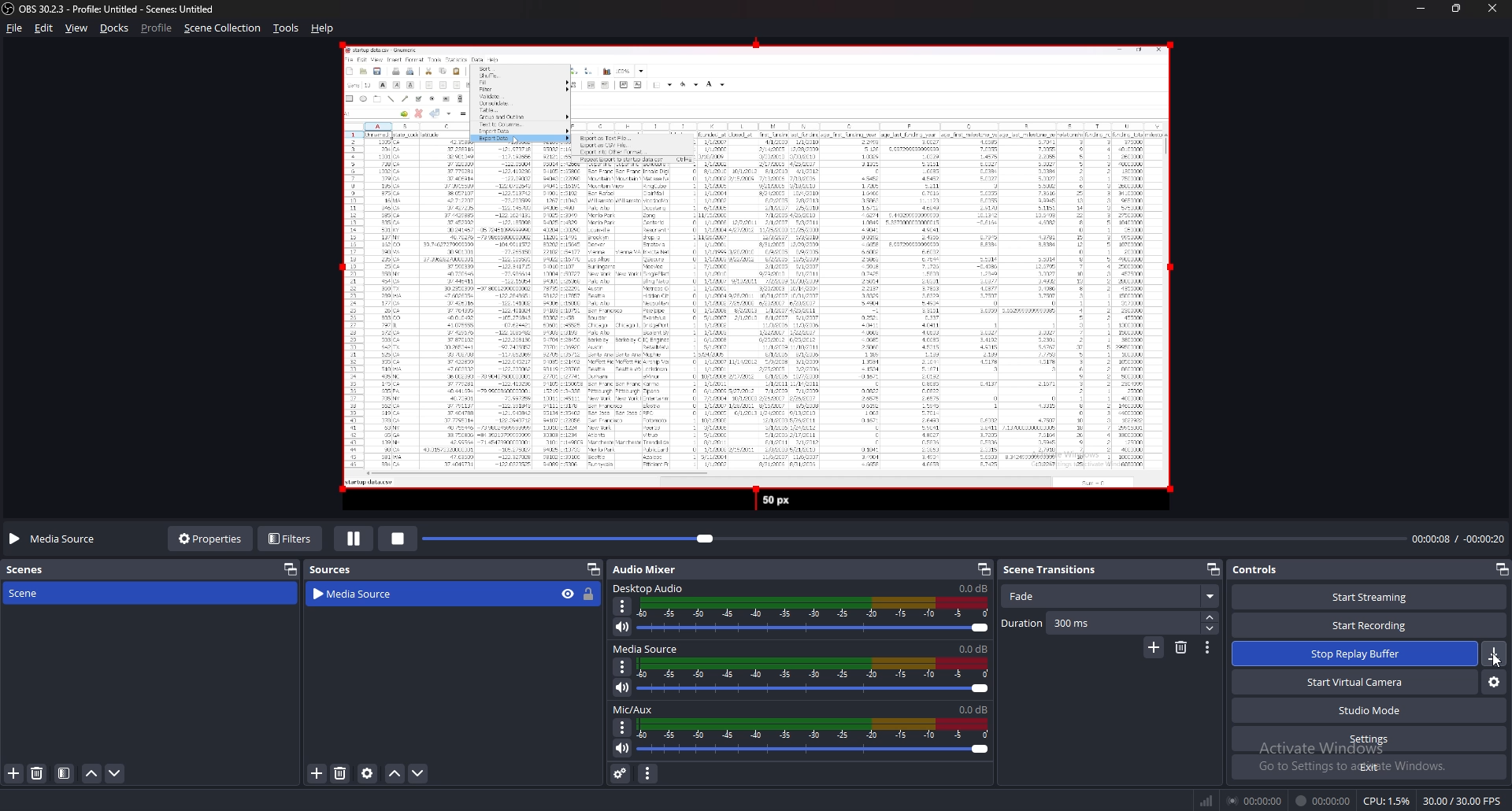  Describe the element at coordinates (1154, 647) in the screenshot. I see `add transition` at that location.